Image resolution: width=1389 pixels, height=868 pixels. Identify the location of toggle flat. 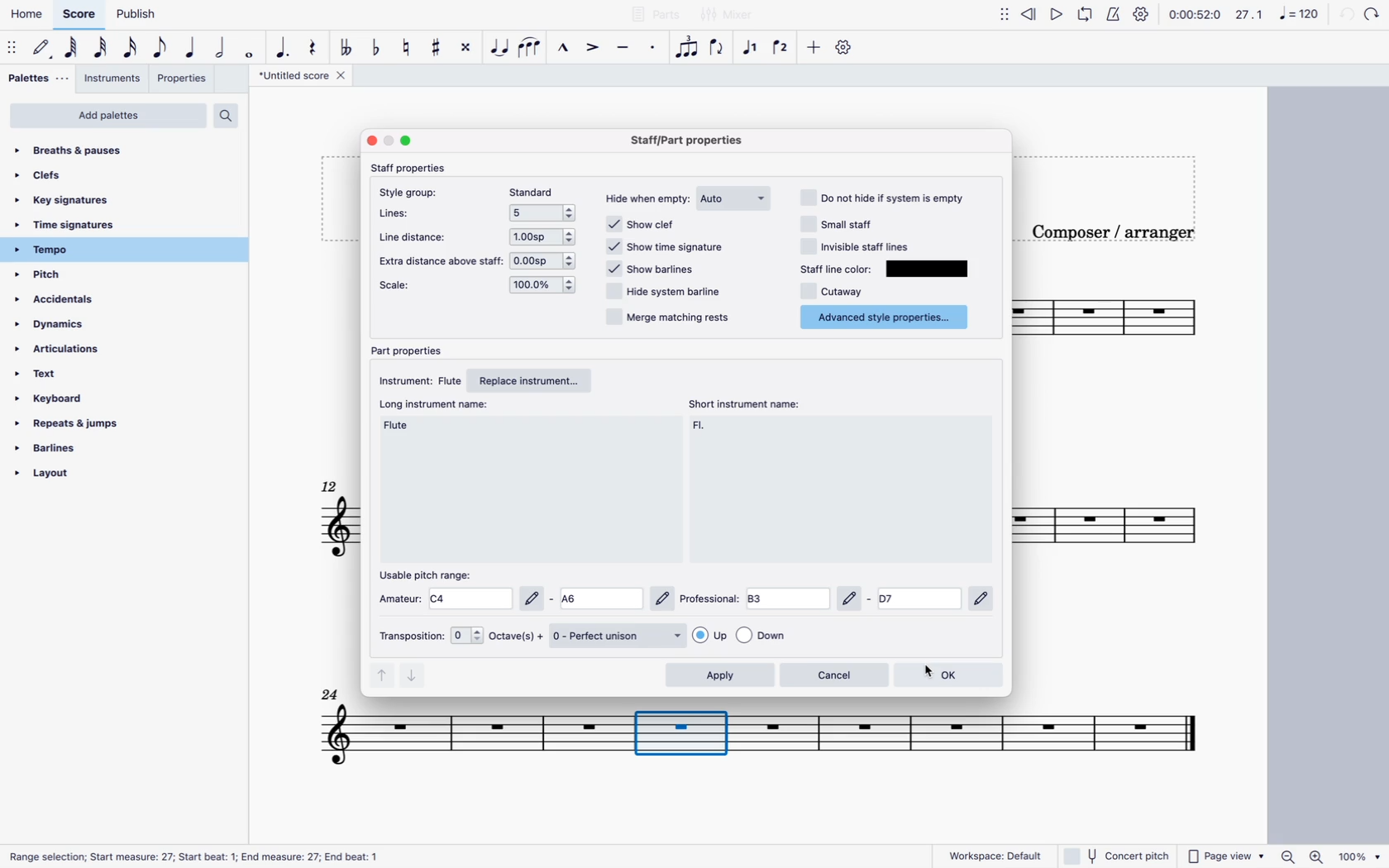
(379, 47).